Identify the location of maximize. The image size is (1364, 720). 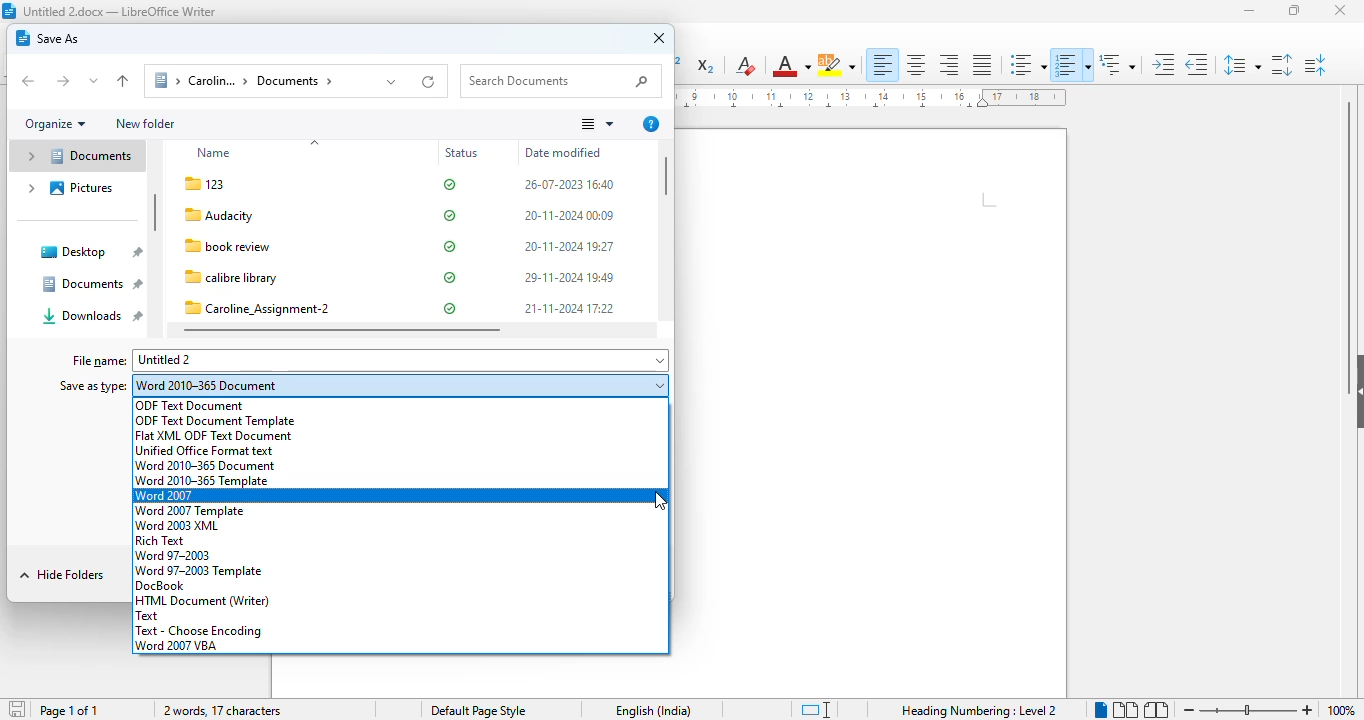
(1294, 9).